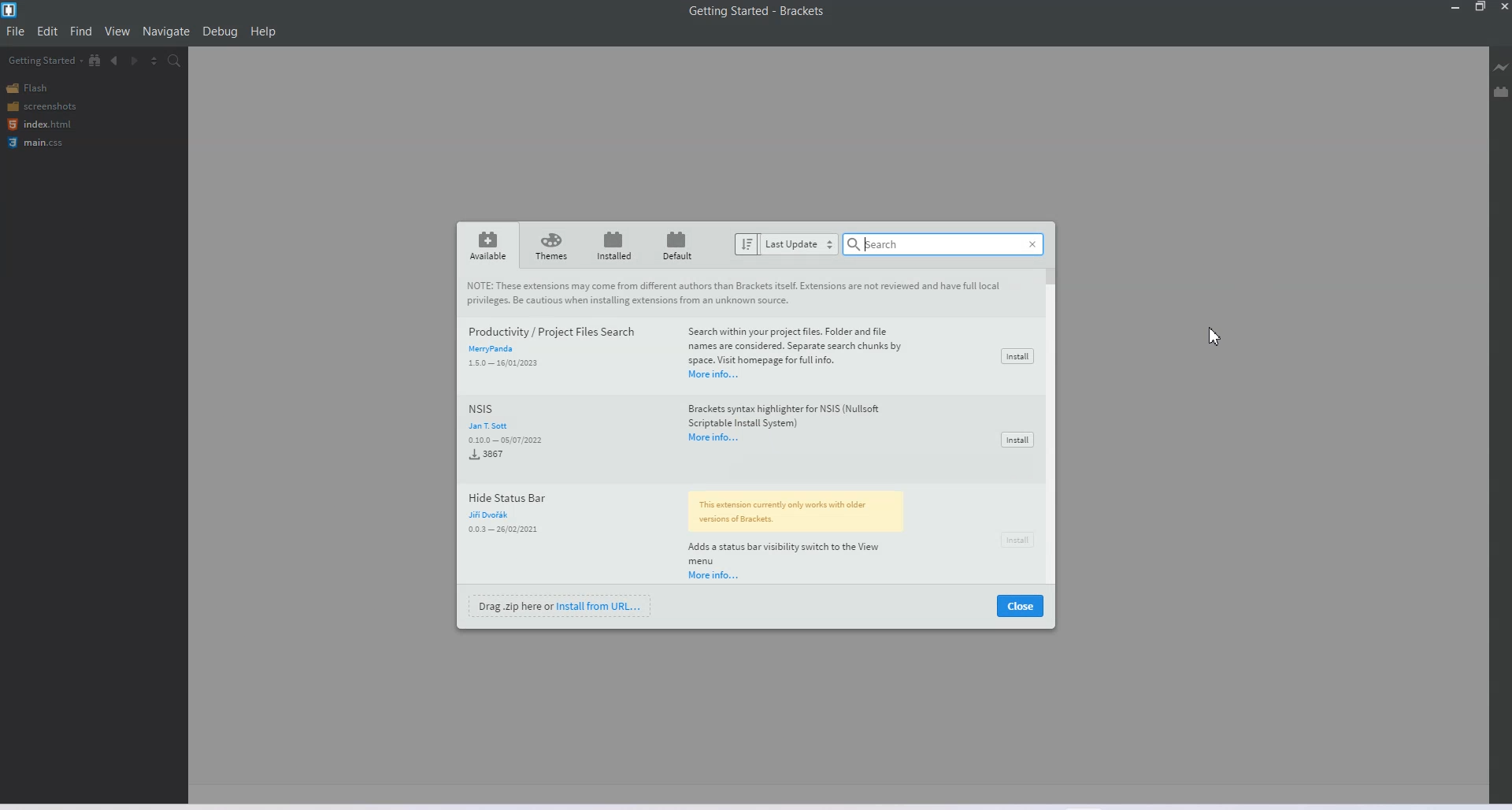 The width and height of the screenshot is (1512, 810). What do you see at coordinates (30, 88) in the screenshot?
I see `Flash` at bounding box center [30, 88].